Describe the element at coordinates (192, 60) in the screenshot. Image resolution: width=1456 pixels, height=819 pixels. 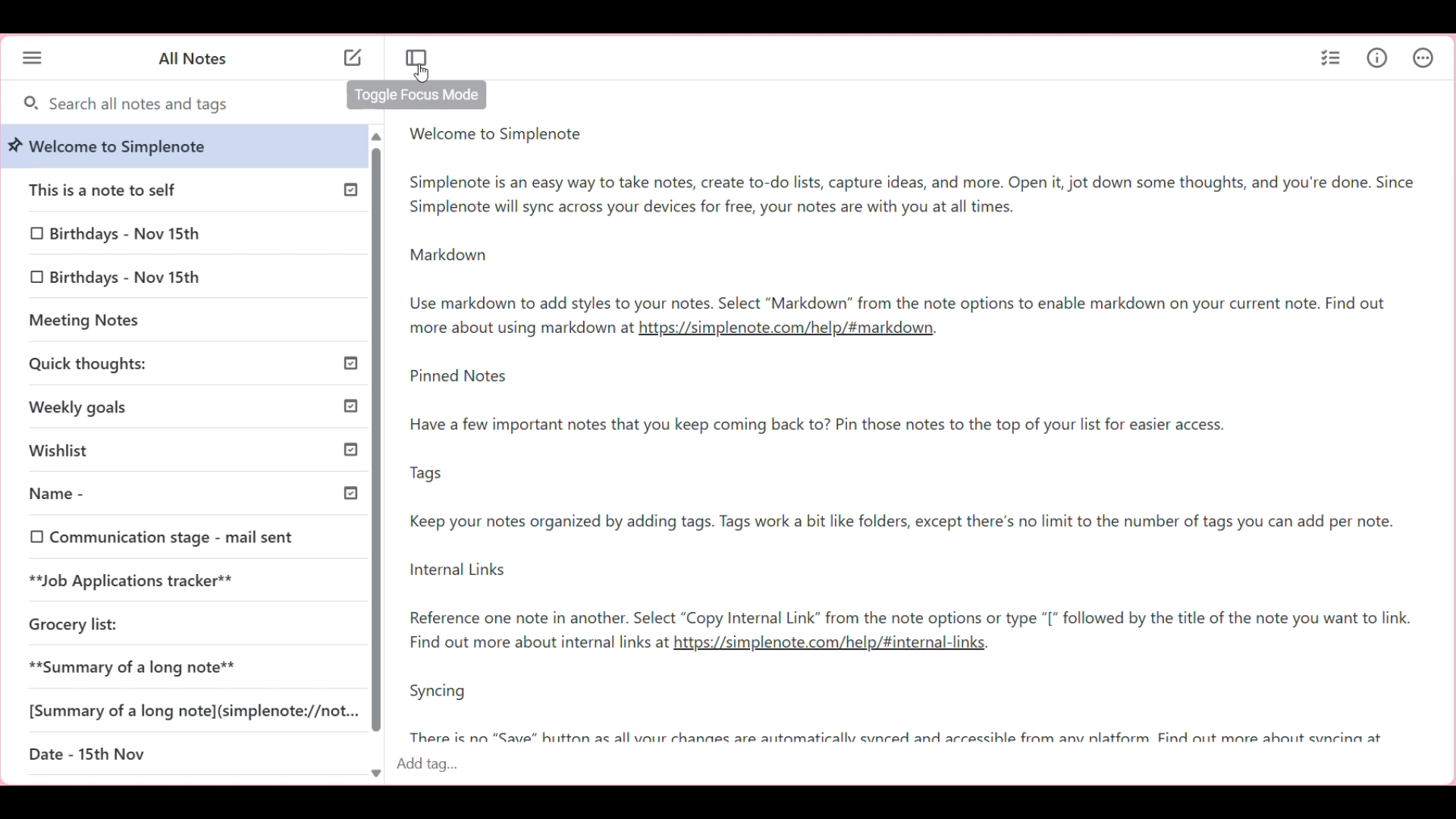
I see `Title of left panel` at that location.